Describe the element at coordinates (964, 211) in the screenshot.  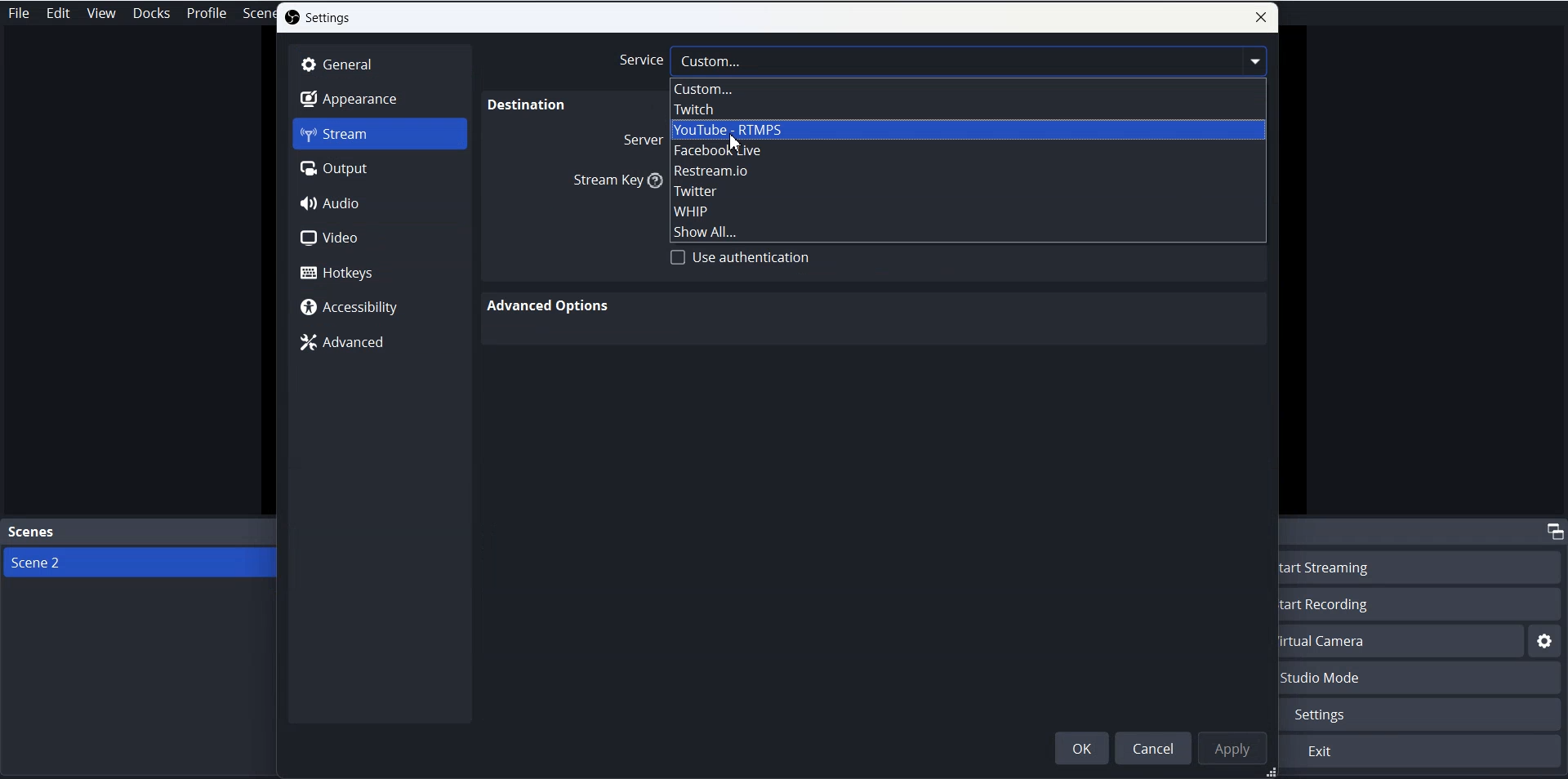
I see `WHIP` at that location.